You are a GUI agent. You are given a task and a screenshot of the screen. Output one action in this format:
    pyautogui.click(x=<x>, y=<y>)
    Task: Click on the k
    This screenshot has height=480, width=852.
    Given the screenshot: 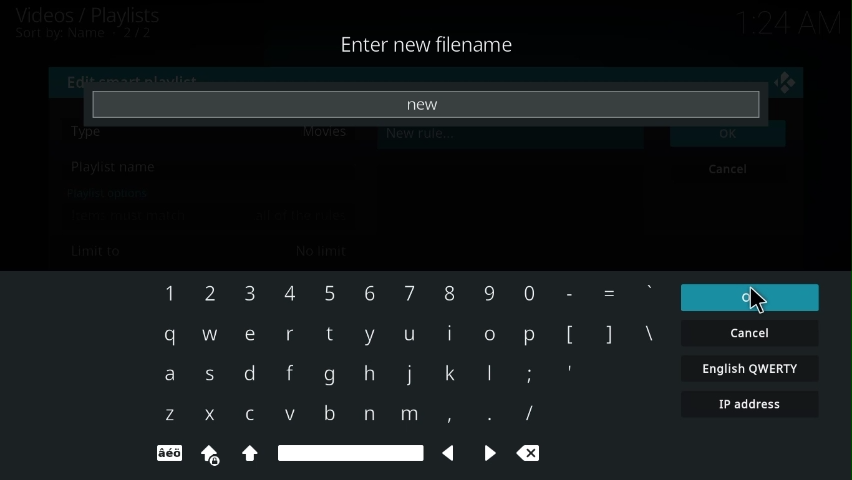 What is the action you would take?
    pyautogui.click(x=446, y=374)
    